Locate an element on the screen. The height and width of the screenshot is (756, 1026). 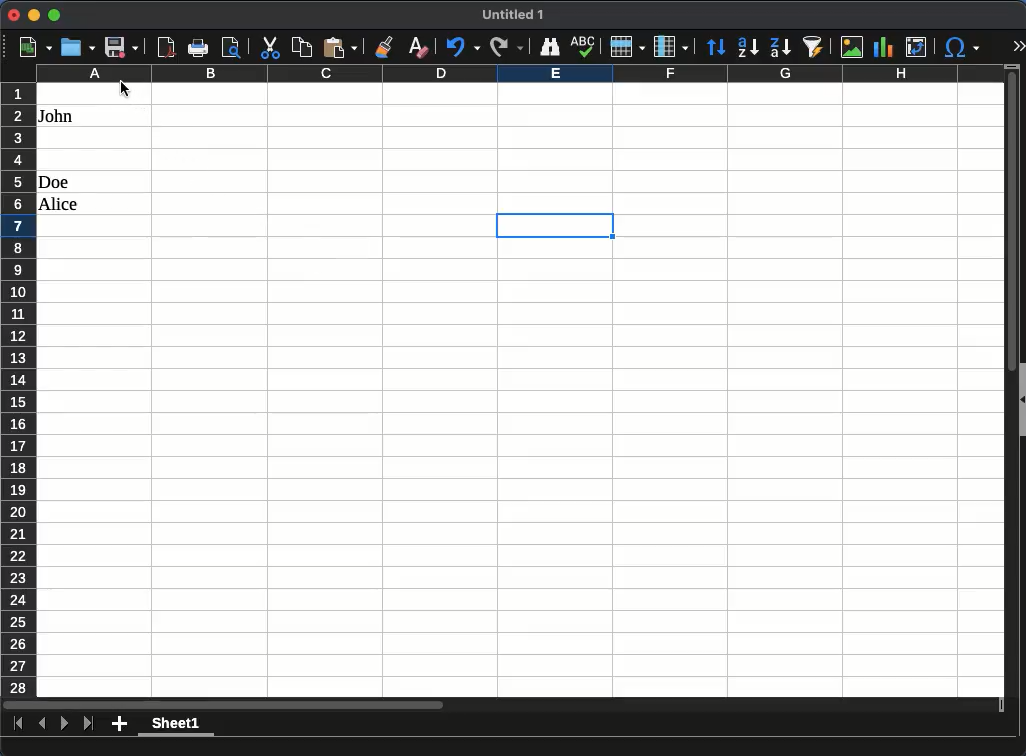
redo is located at coordinates (505, 48).